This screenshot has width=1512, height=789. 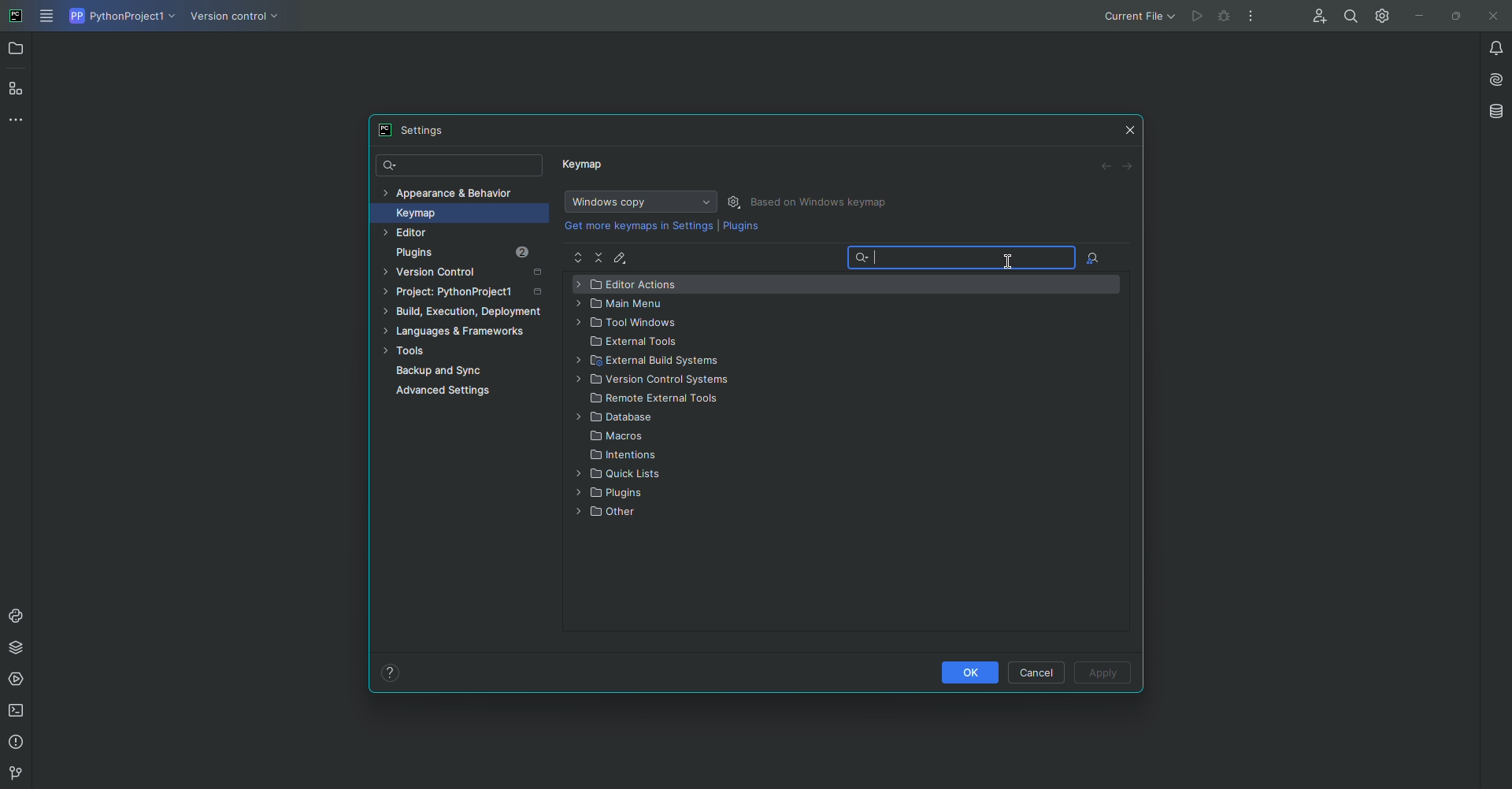 What do you see at coordinates (461, 332) in the screenshot?
I see `Languages and Framework` at bounding box center [461, 332].